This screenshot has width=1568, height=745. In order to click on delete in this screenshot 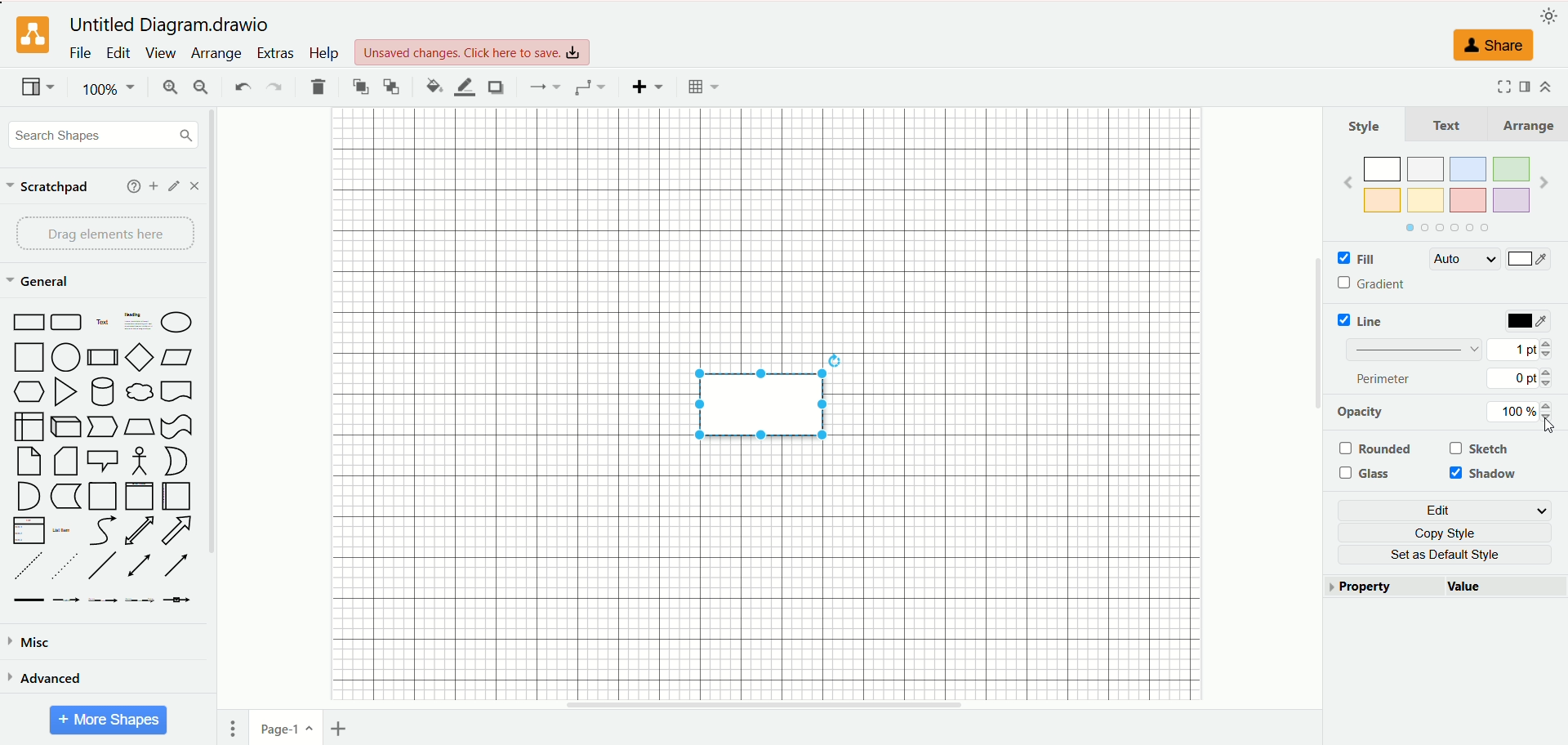, I will do `click(318, 87)`.